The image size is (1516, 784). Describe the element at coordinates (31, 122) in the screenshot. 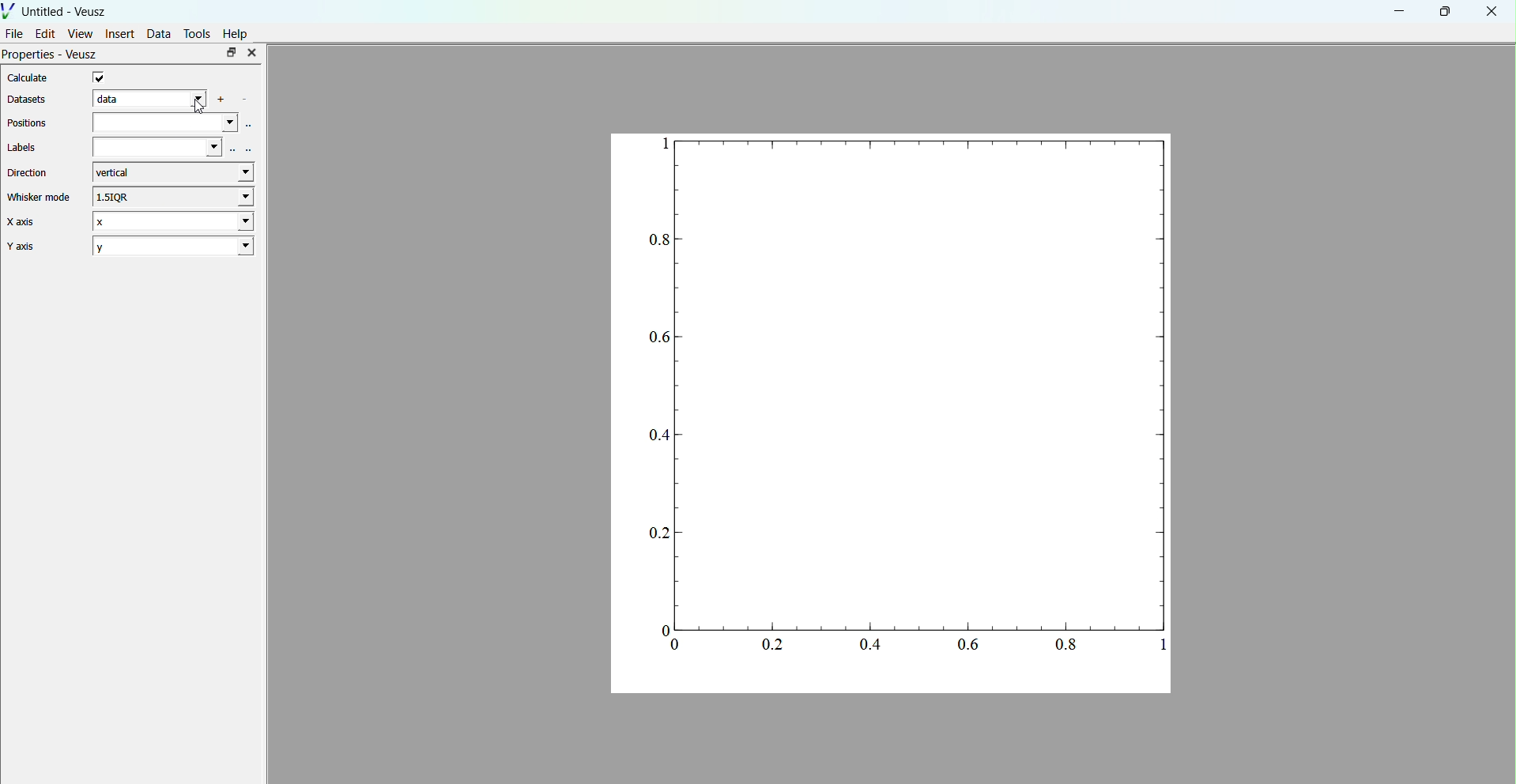

I see `Positions.` at that location.